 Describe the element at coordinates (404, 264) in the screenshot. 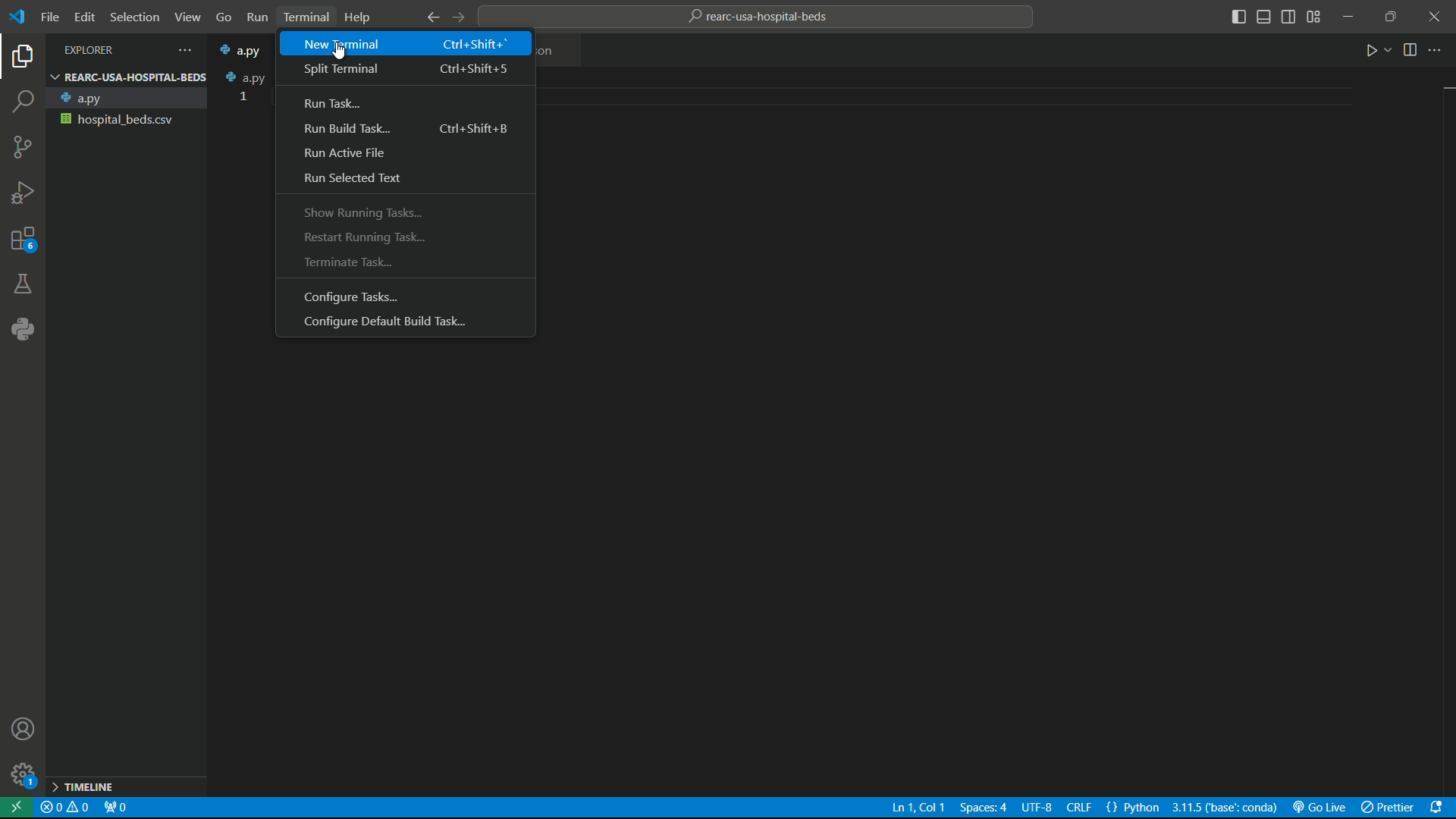

I see `terminate task` at that location.